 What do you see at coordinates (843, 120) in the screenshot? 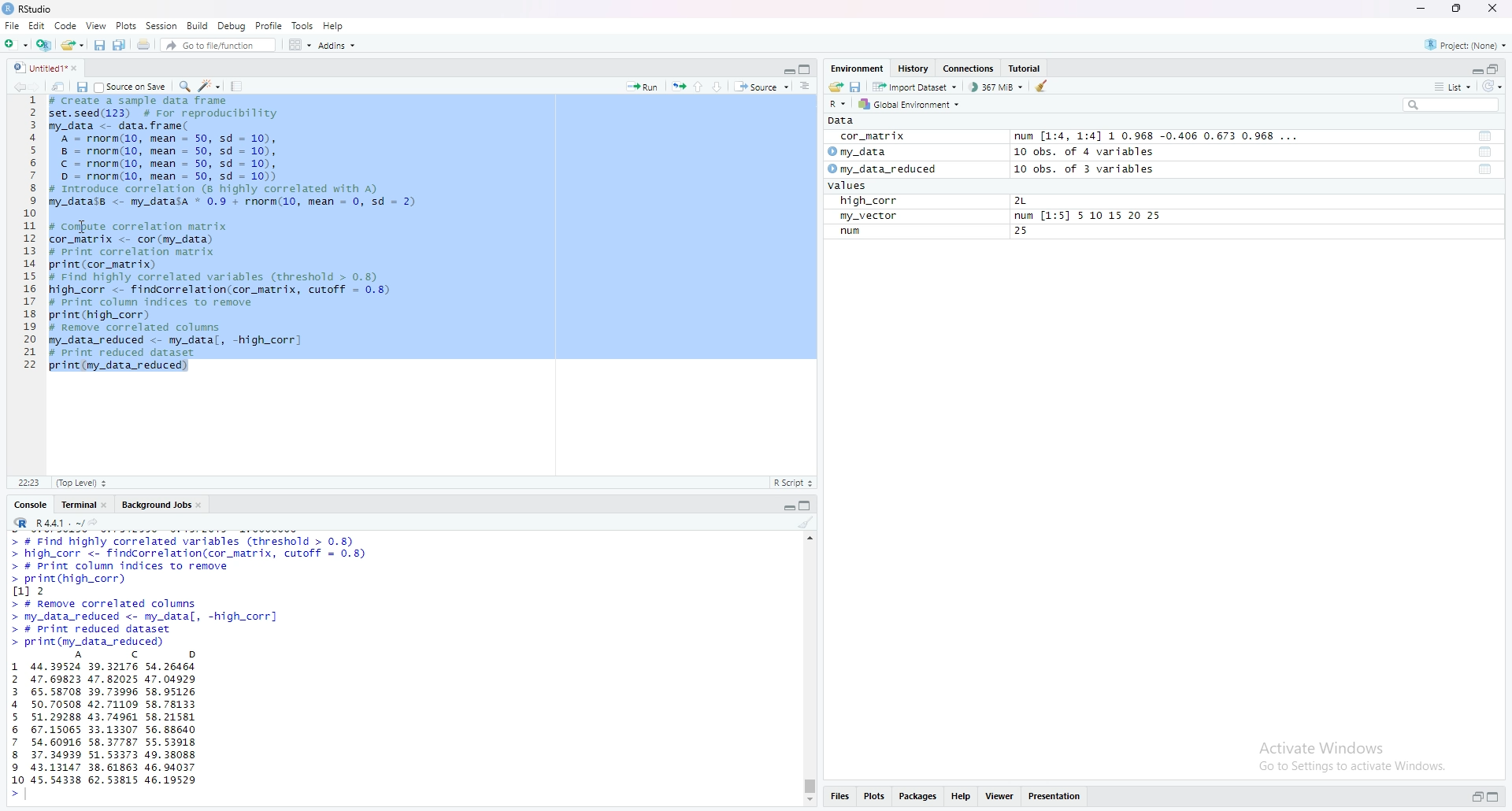
I see `Data ` at bounding box center [843, 120].